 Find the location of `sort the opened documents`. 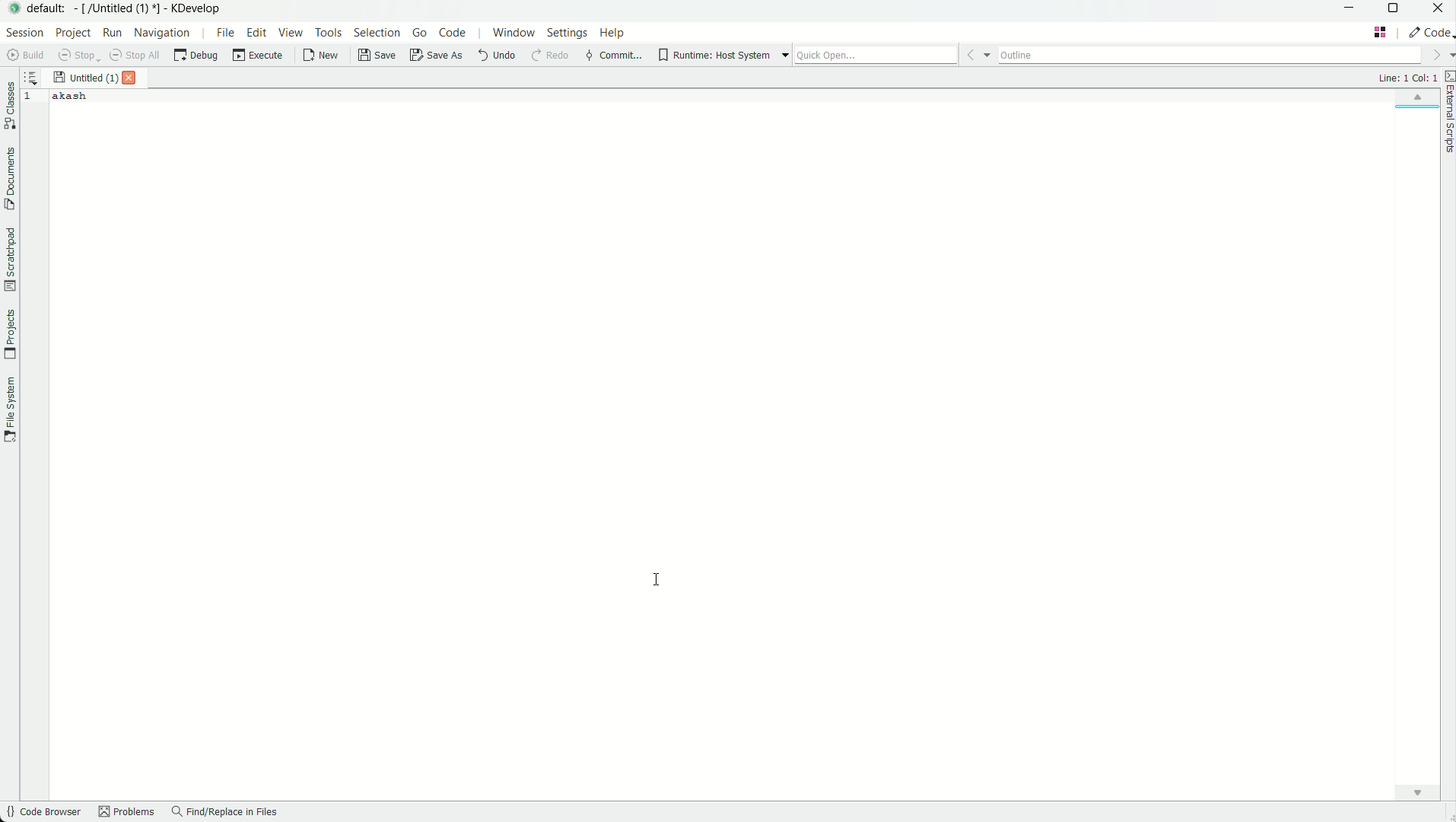

sort the opened documents is located at coordinates (31, 75).